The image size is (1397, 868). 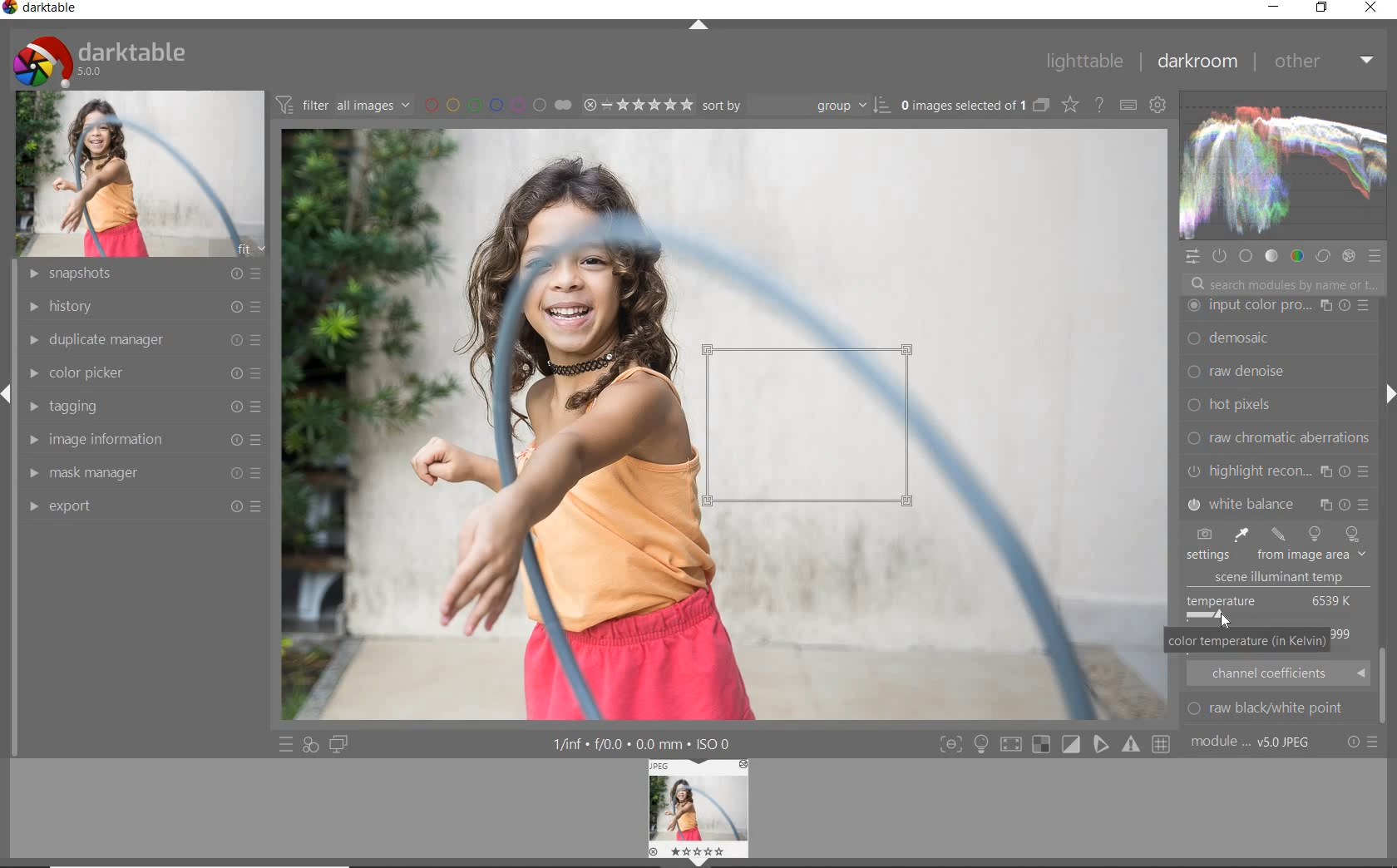 I want to click on TEMPERATURE, so click(x=1273, y=557).